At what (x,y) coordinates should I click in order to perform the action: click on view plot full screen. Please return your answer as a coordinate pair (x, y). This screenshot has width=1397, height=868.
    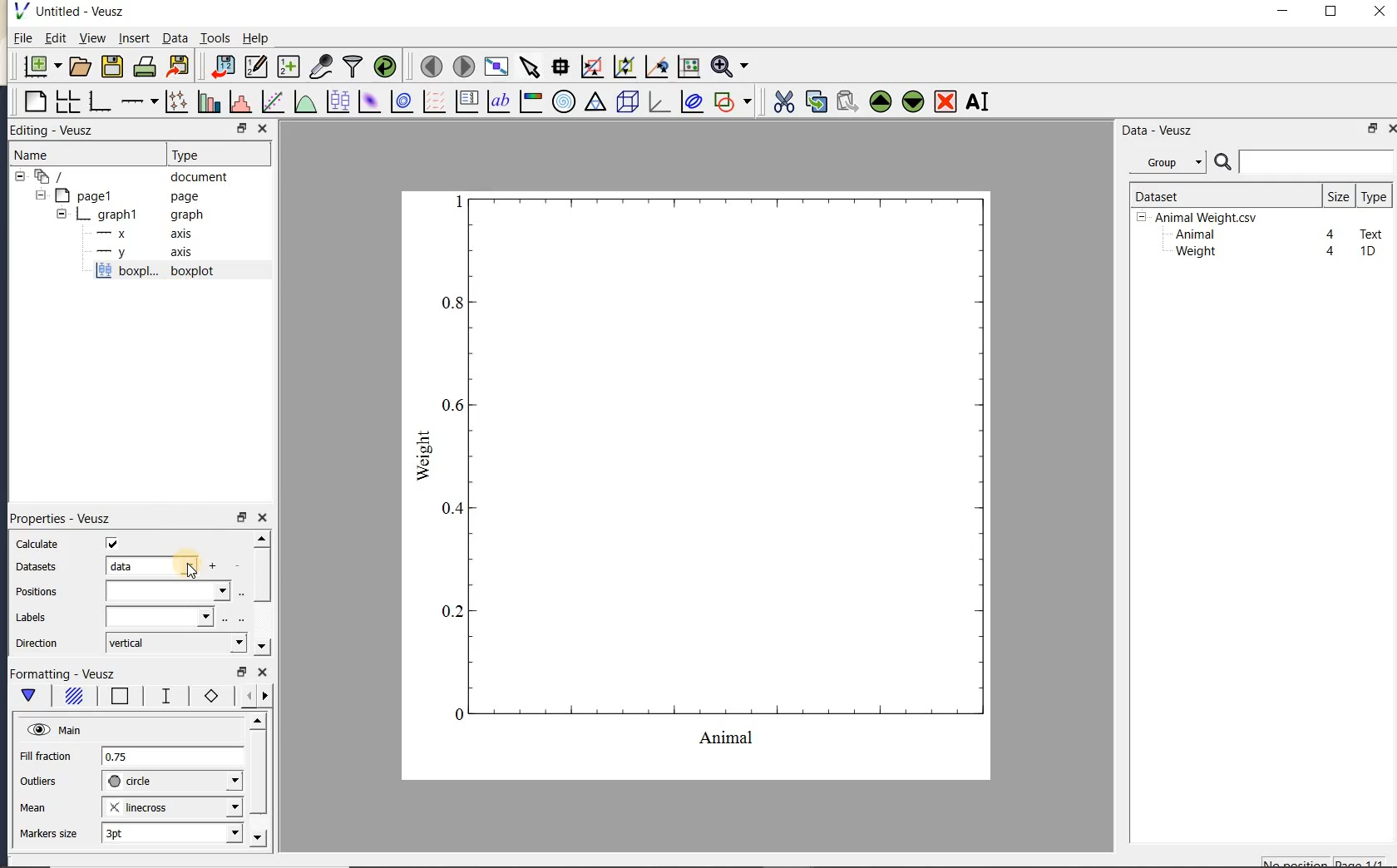
    Looking at the image, I should click on (496, 67).